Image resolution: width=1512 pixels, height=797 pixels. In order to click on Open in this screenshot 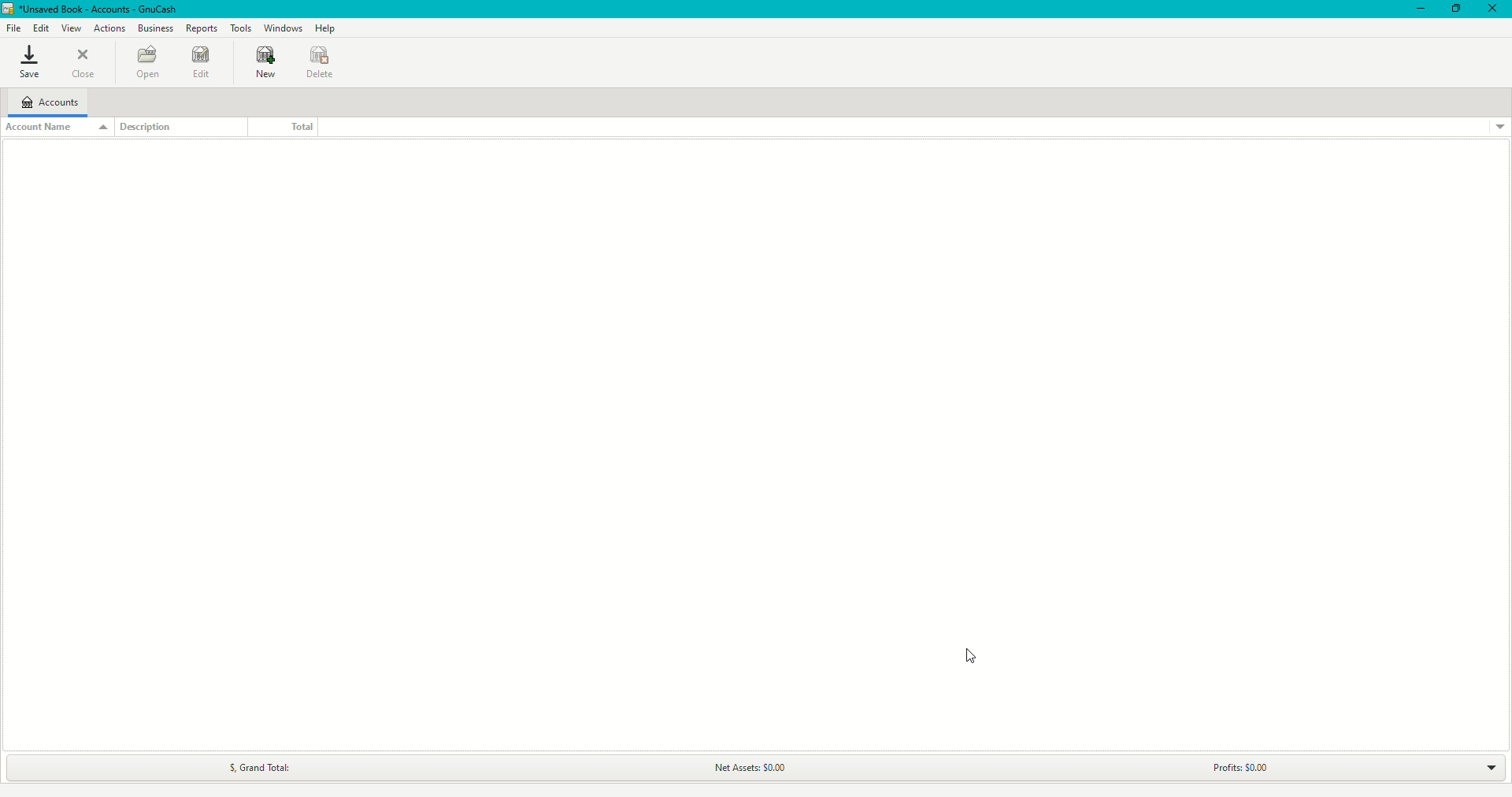, I will do `click(144, 61)`.